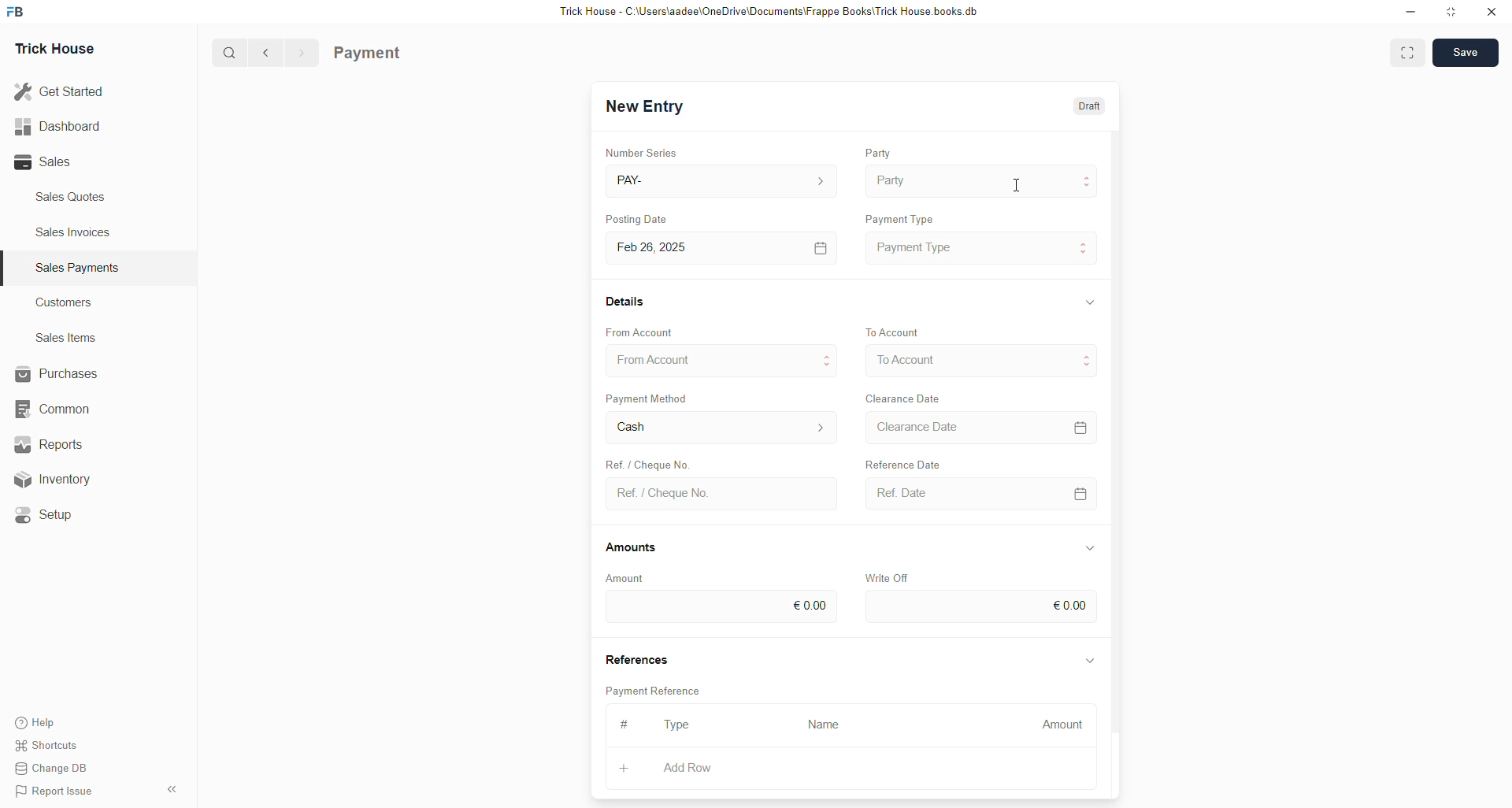 The height and width of the screenshot is (808, 1512). Describe the element at coordinates (640, 332) in the screenshot. I see `From Account` at that location.